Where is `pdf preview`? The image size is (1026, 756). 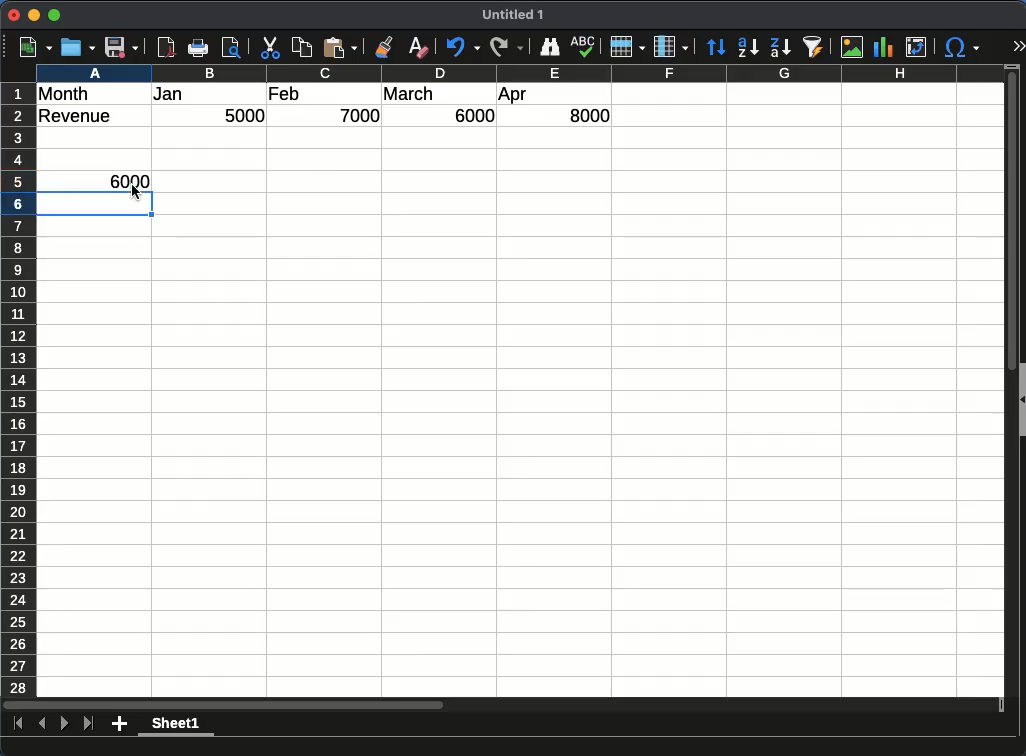 pdf preview is located at coordinates (165, 47).